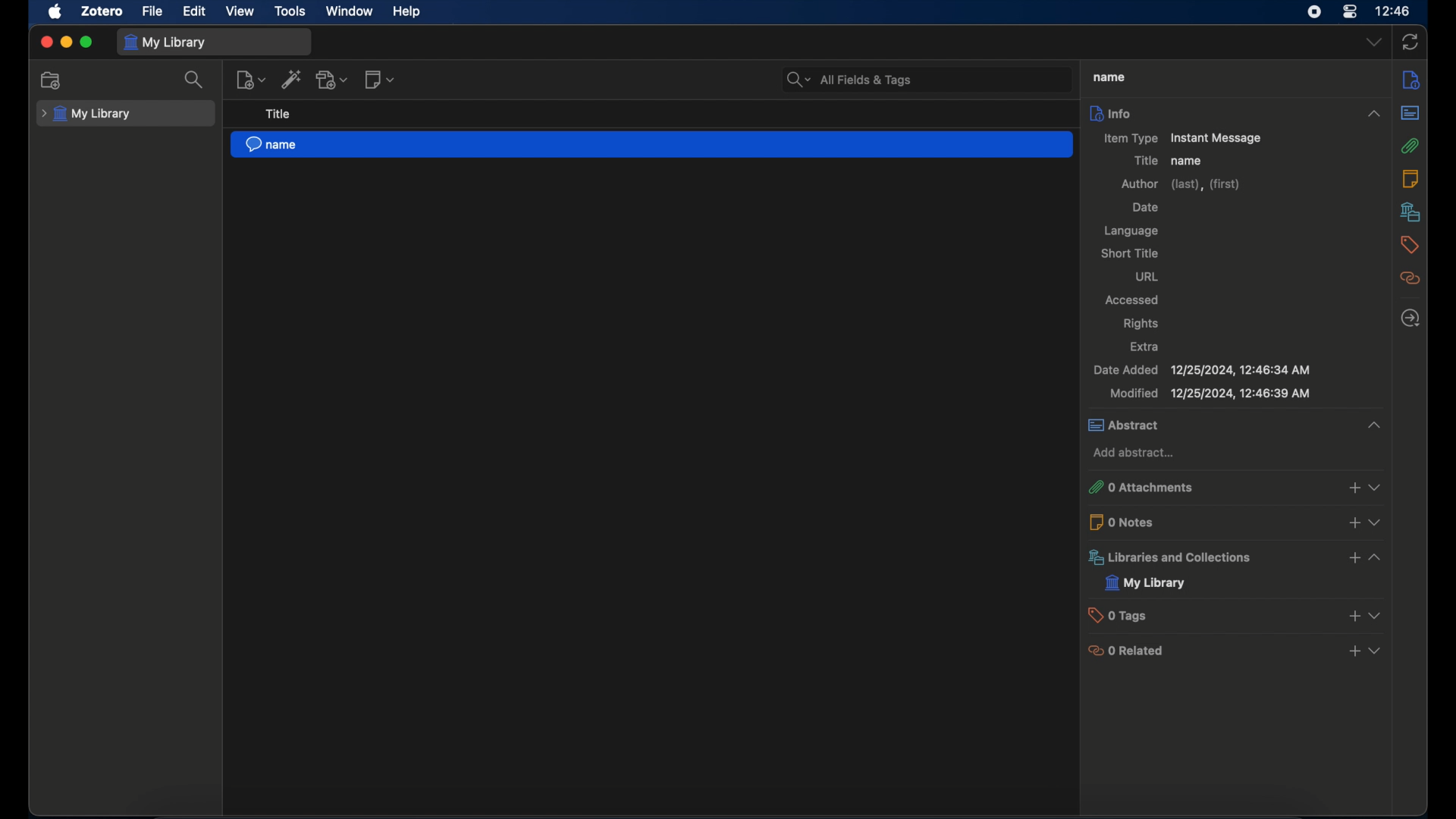  What do you see at coordinates (1106, 76) in the screenshot?
I see `title` at bounding box center [1106, 76].